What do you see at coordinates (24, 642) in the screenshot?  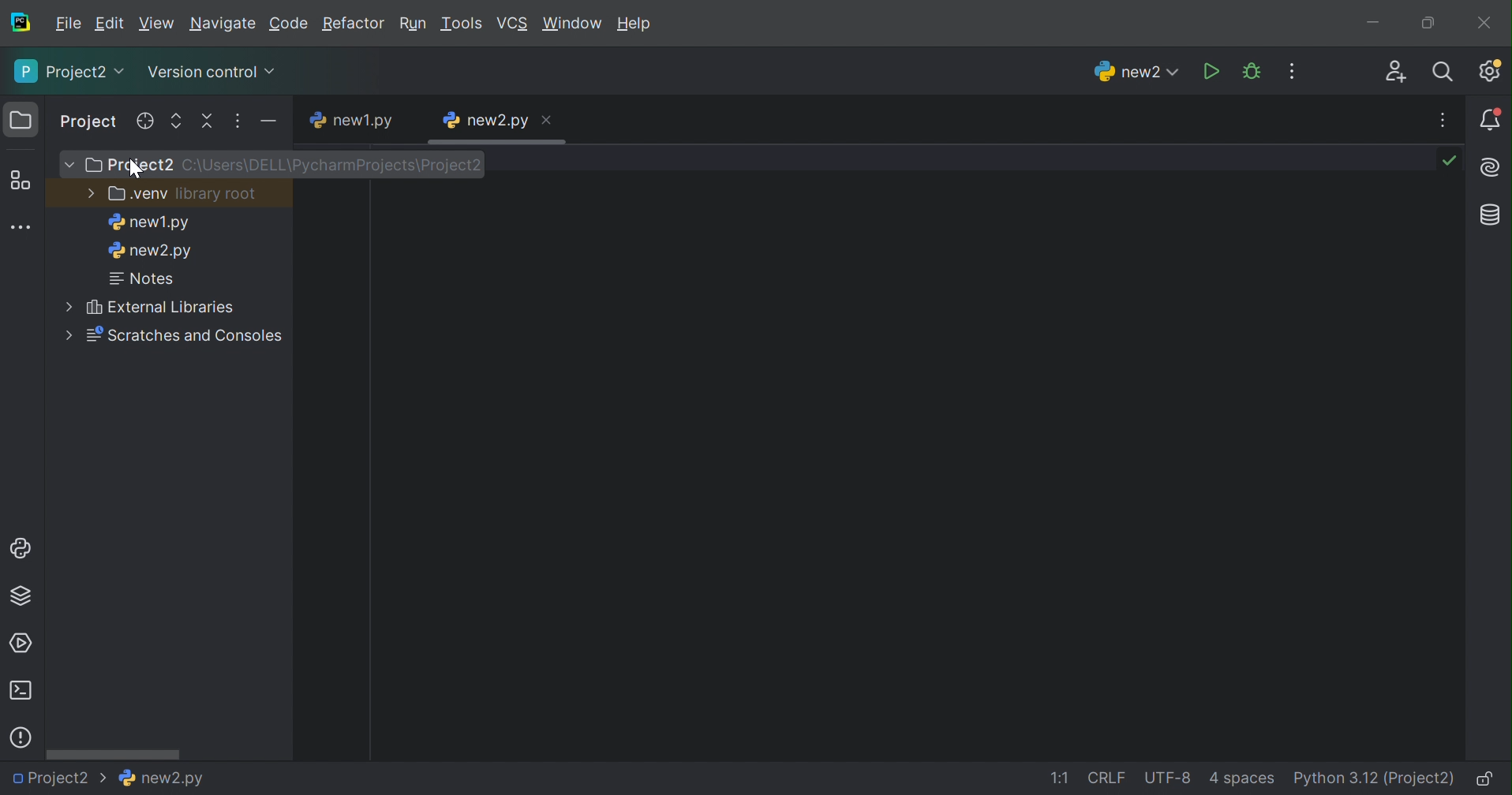 I see `Services` at bounding box center [24, 642].